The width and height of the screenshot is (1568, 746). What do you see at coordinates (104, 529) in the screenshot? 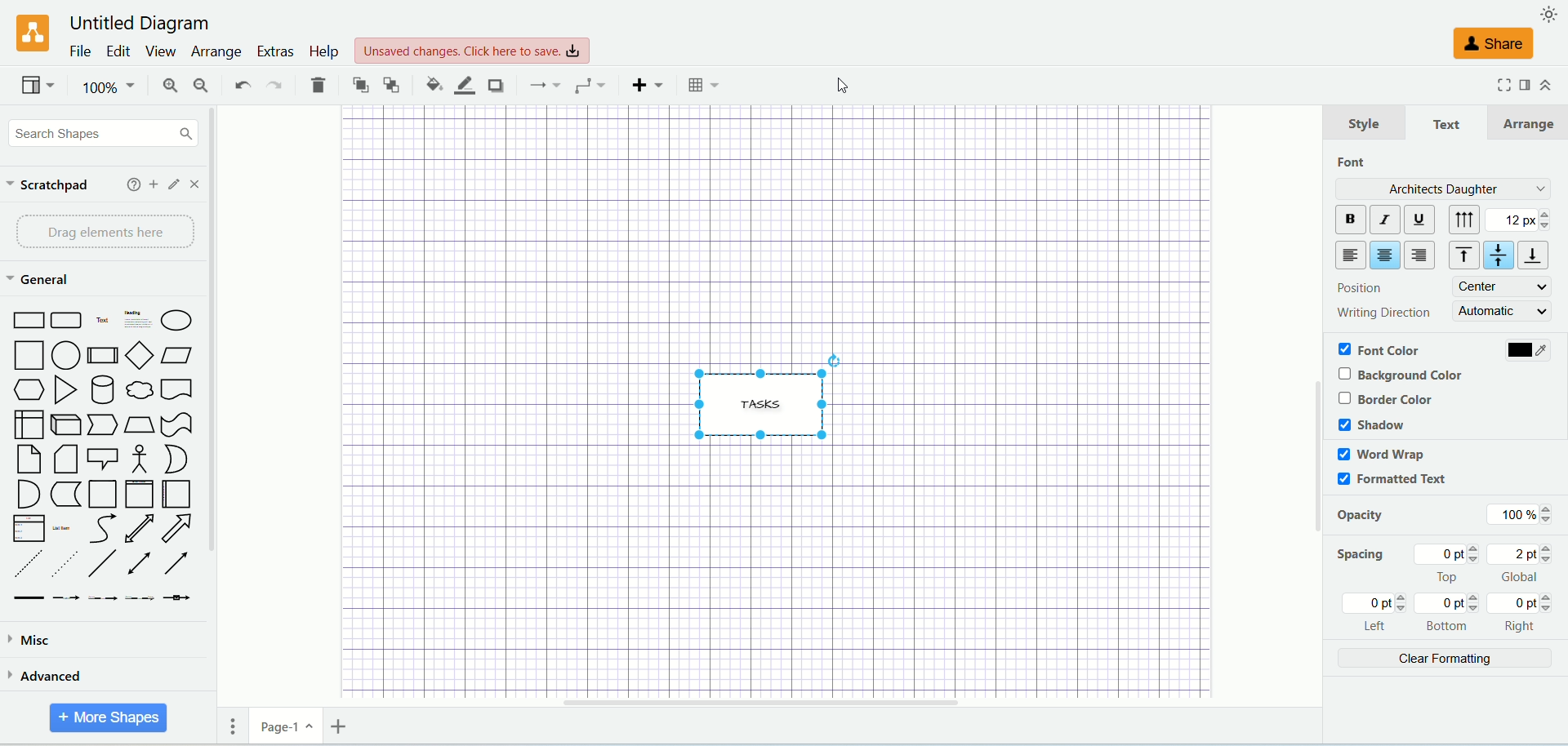
I see `Curve` at bounding box center [104, 529].